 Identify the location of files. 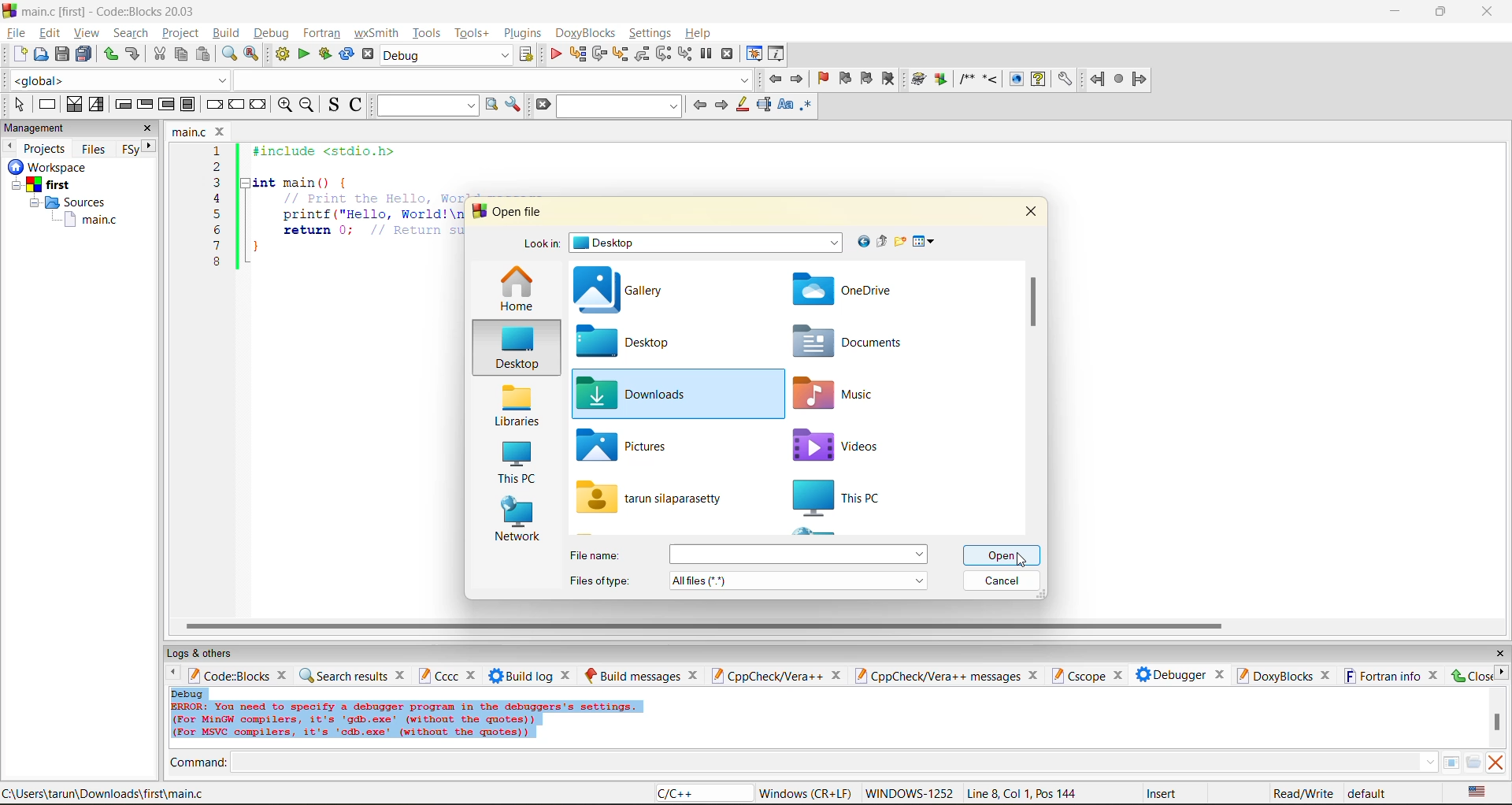
(94, 148).